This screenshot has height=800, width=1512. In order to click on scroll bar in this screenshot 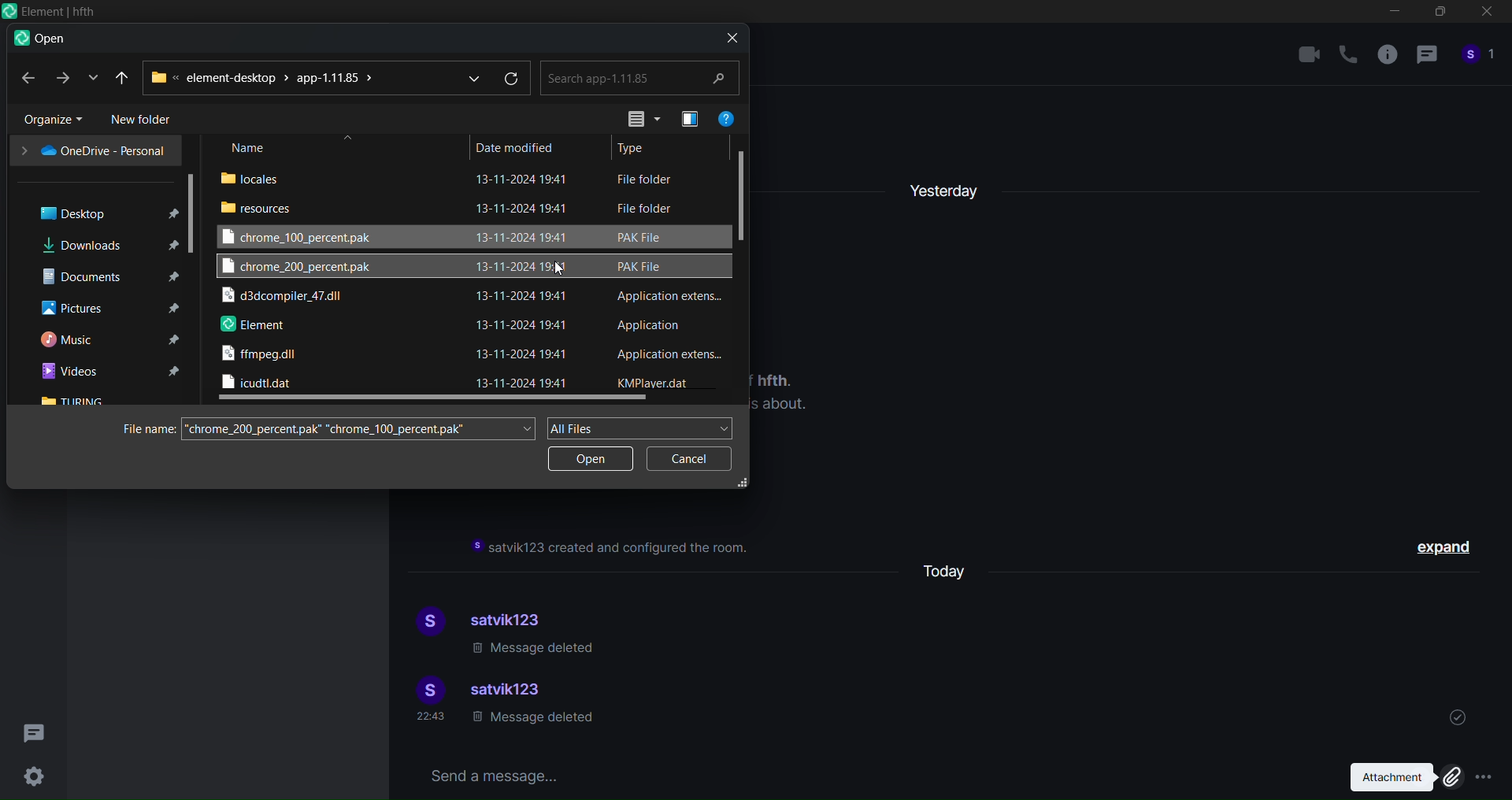, I will do `click(194, 212)`.